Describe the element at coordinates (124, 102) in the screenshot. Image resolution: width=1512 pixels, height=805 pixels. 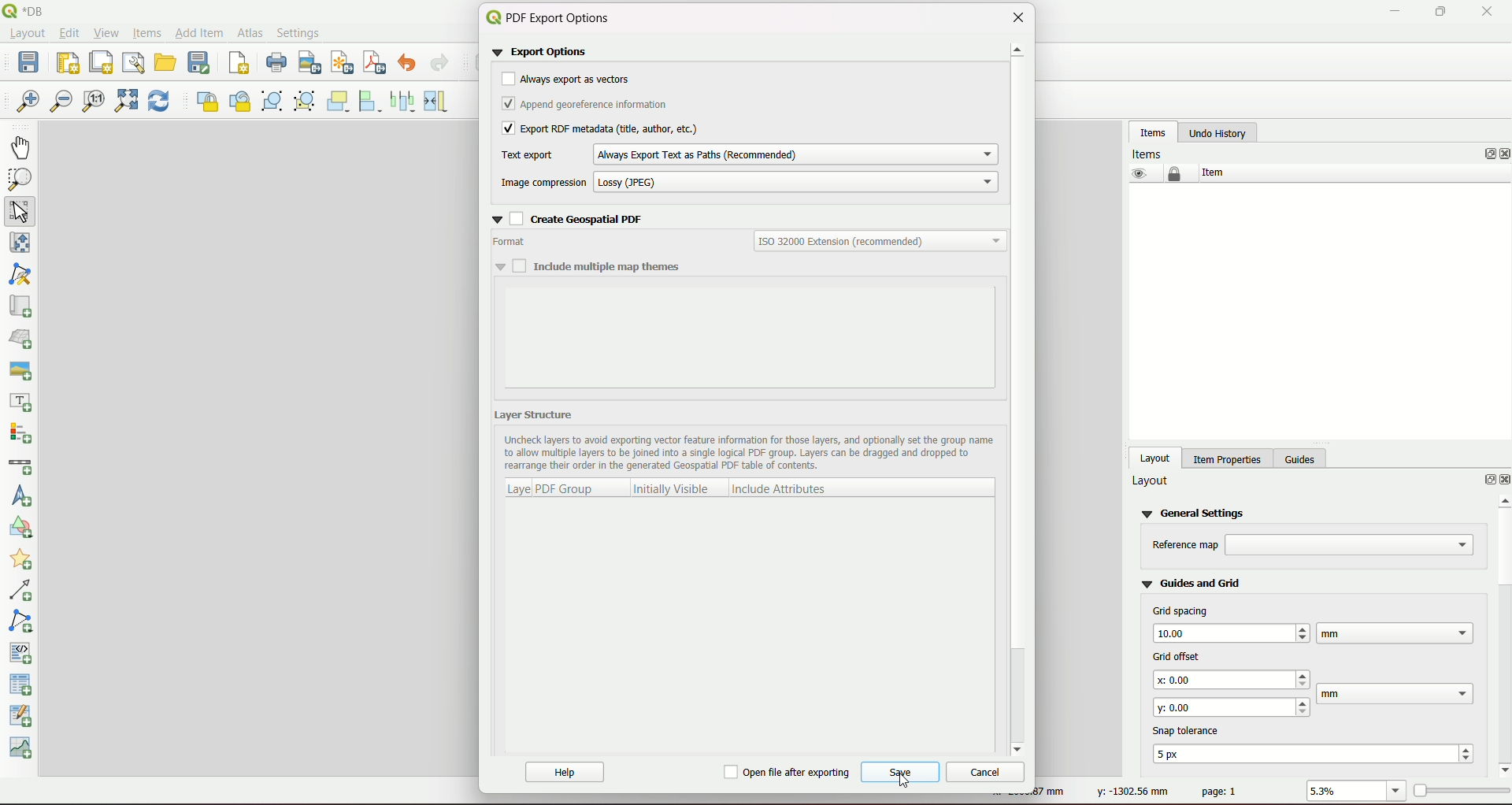
I see `zoom full` at that location.